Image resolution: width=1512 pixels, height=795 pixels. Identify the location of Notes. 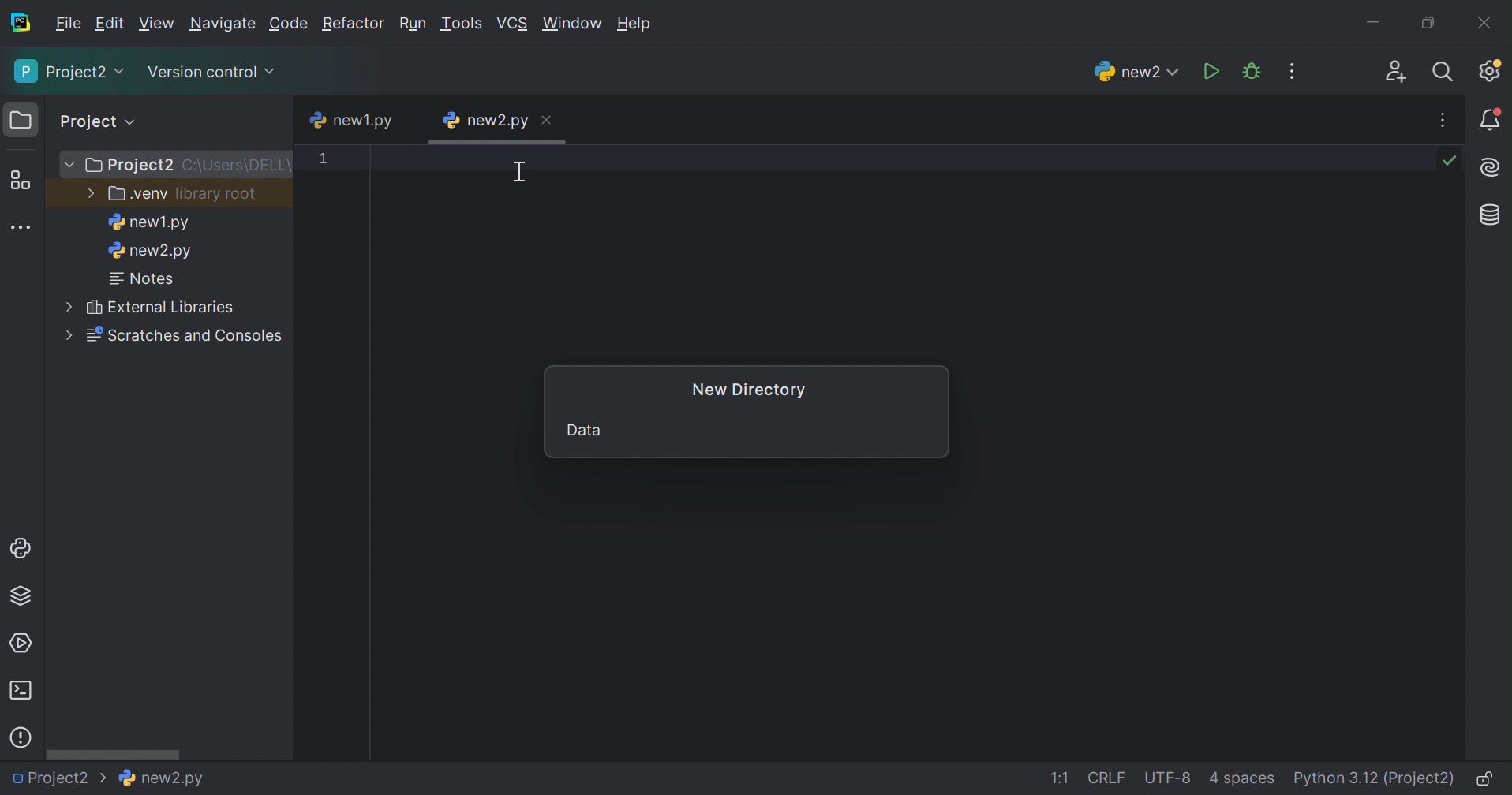
(144, 279).